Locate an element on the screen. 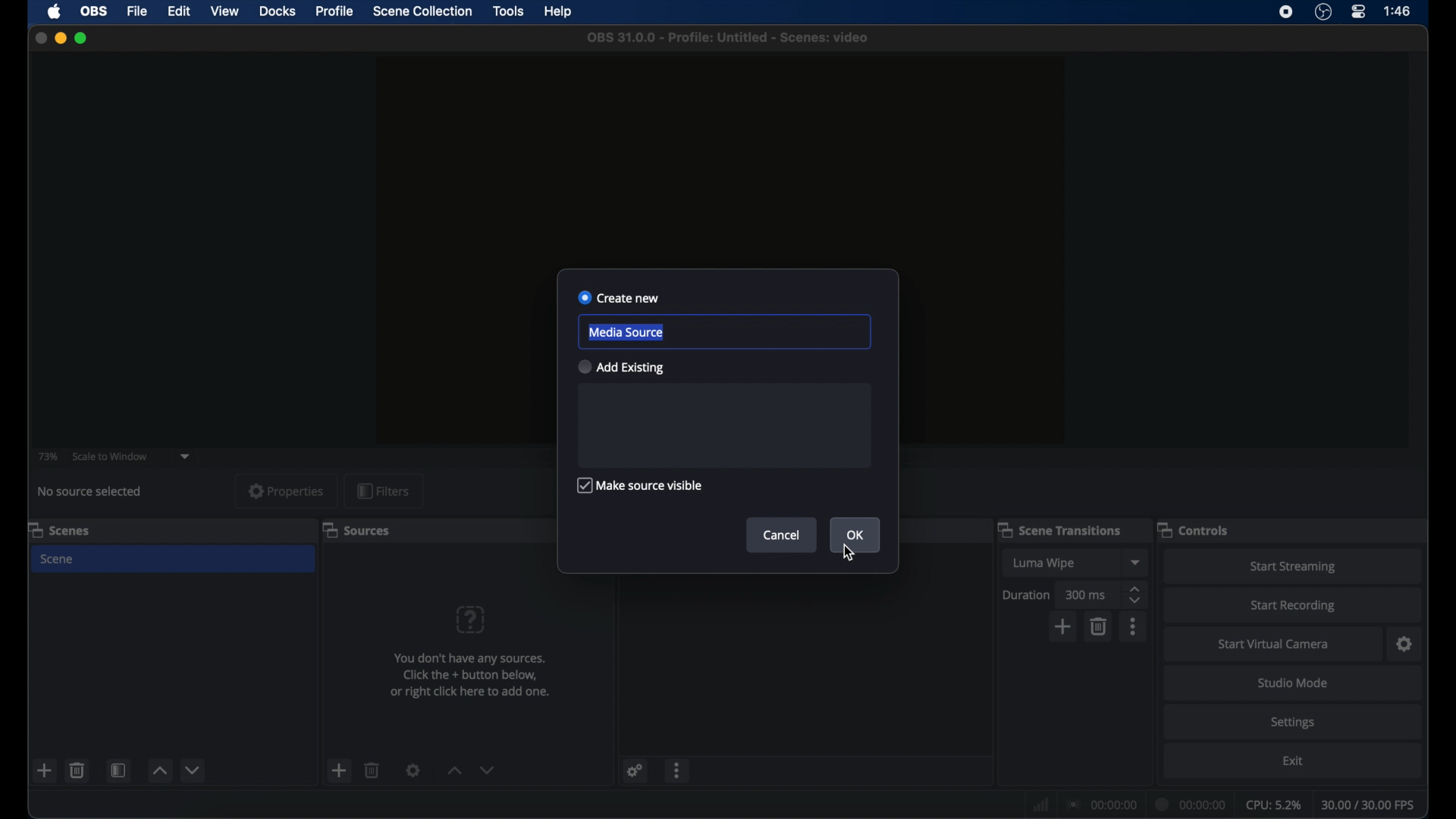 The width and height of the screenshot is (1456, 819). fps is located at coordinates (1370, 805).